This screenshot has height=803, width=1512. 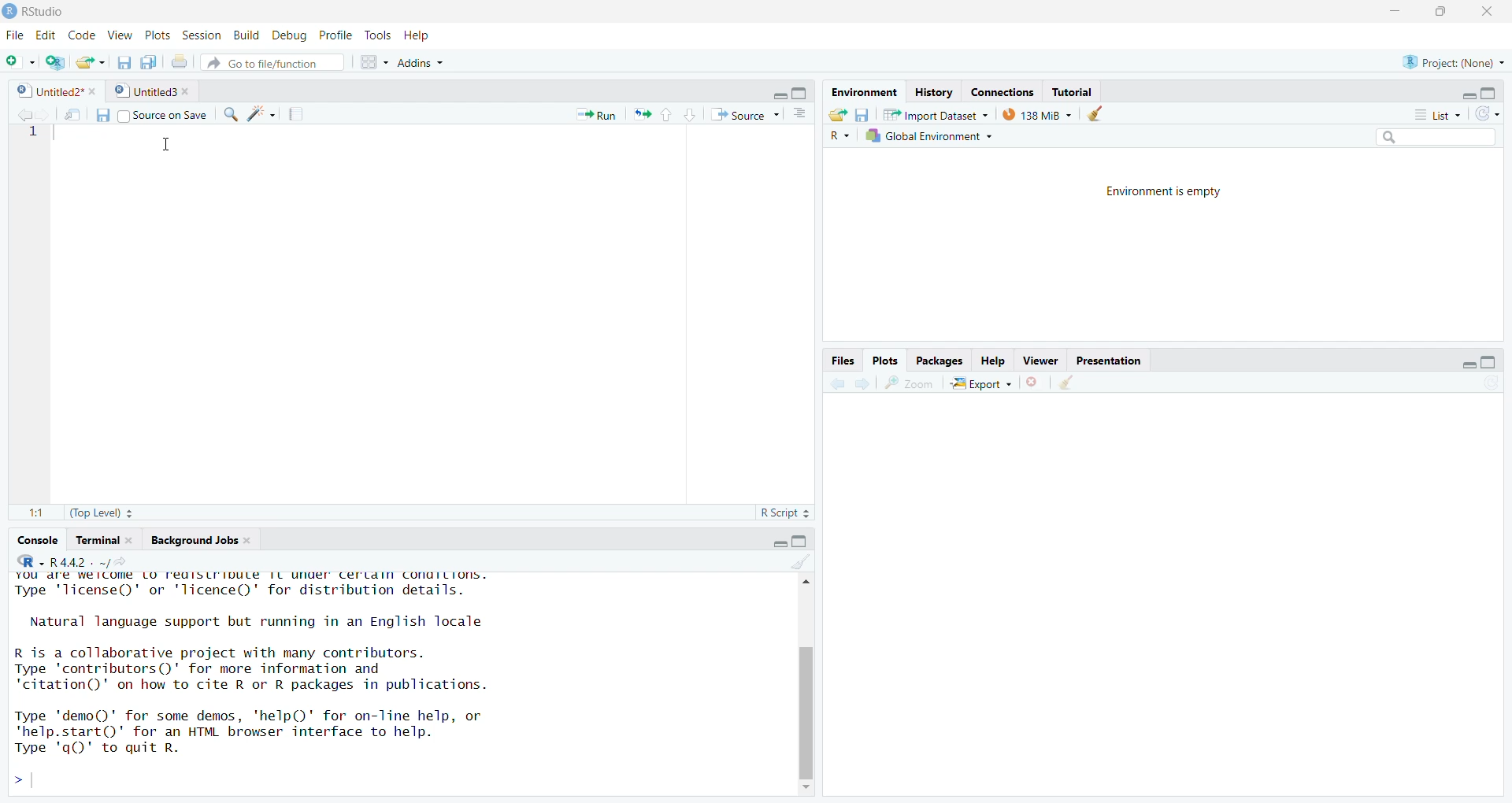 I want to click on compile project, so click(x=302, y=113).